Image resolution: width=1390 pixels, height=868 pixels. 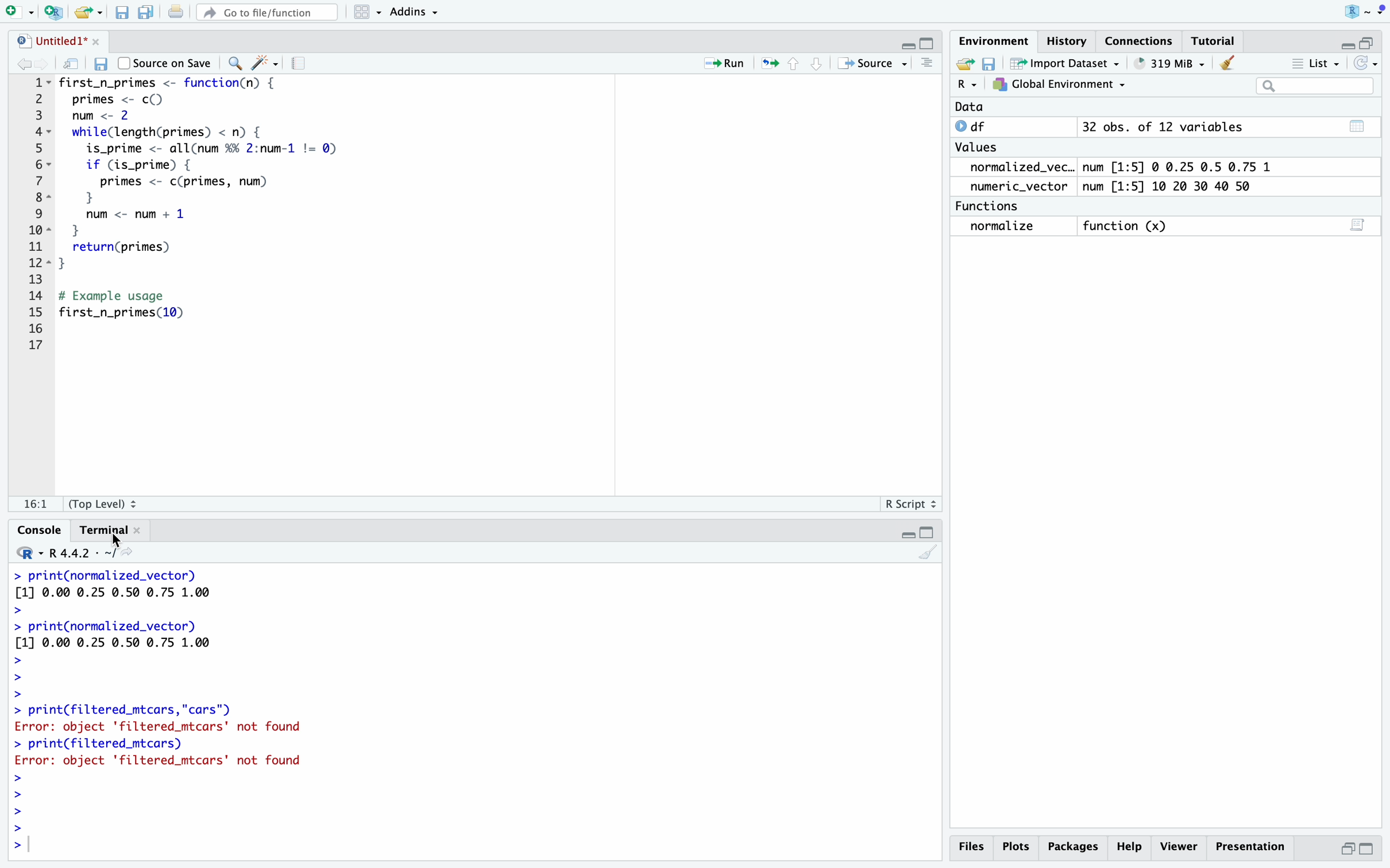 I want to click on #” Go to file/function, so click(x=265, y=10).